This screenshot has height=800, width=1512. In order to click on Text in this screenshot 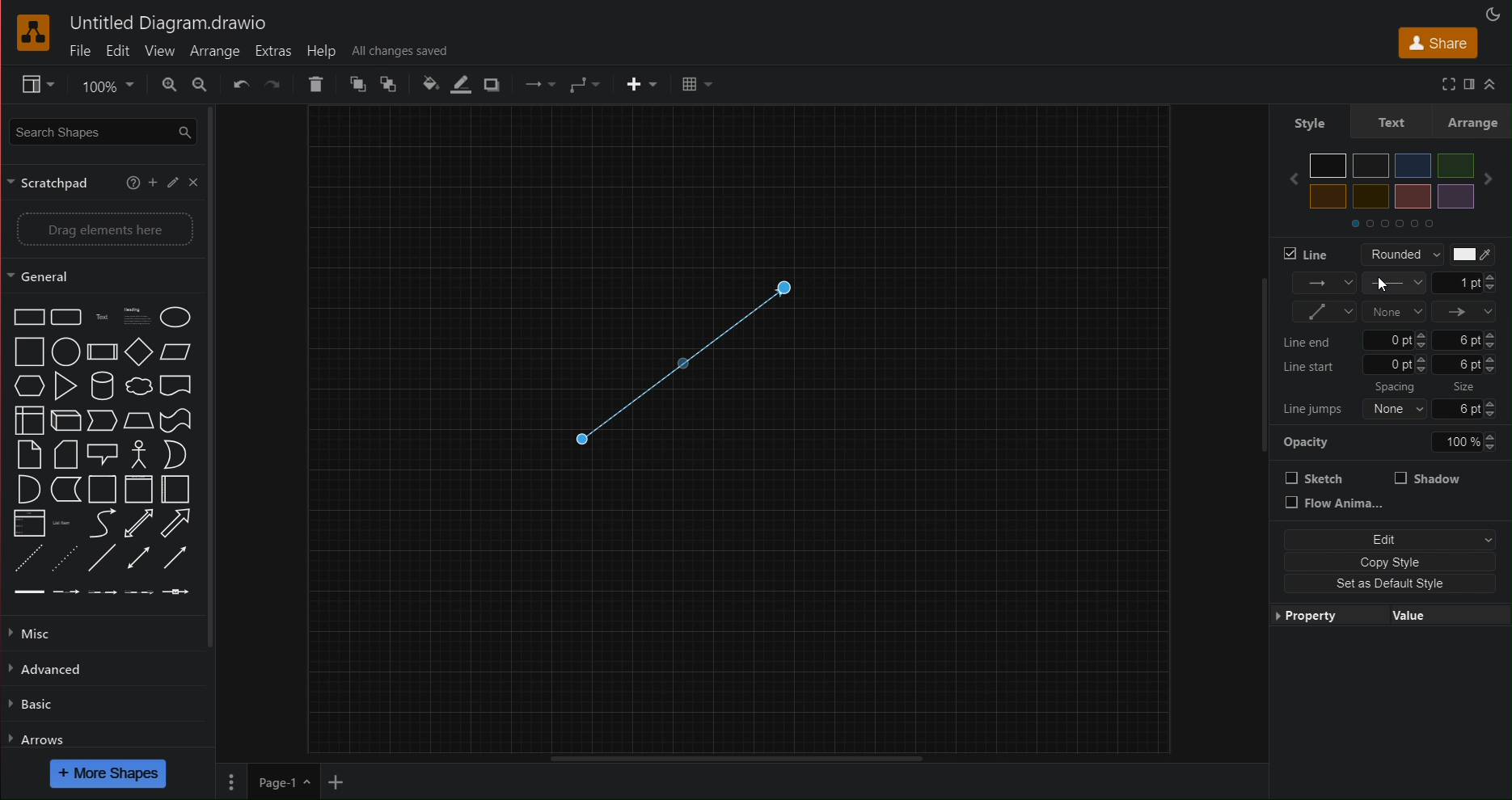, I will do `click(1390, 123)`.